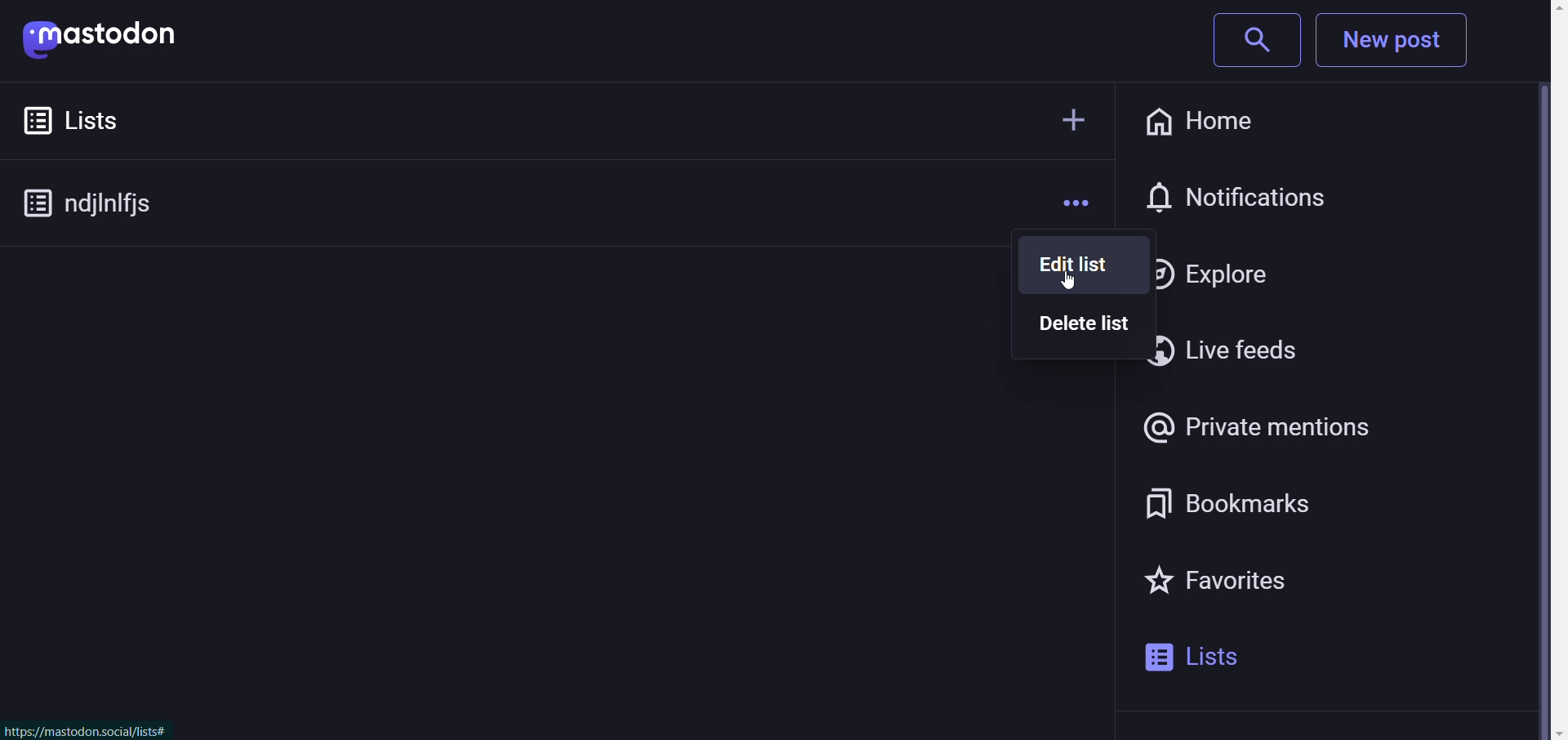 This screenshot has width=1568, height=740. I want to click on Vertical Scroll Bar, so click(1548, 372).